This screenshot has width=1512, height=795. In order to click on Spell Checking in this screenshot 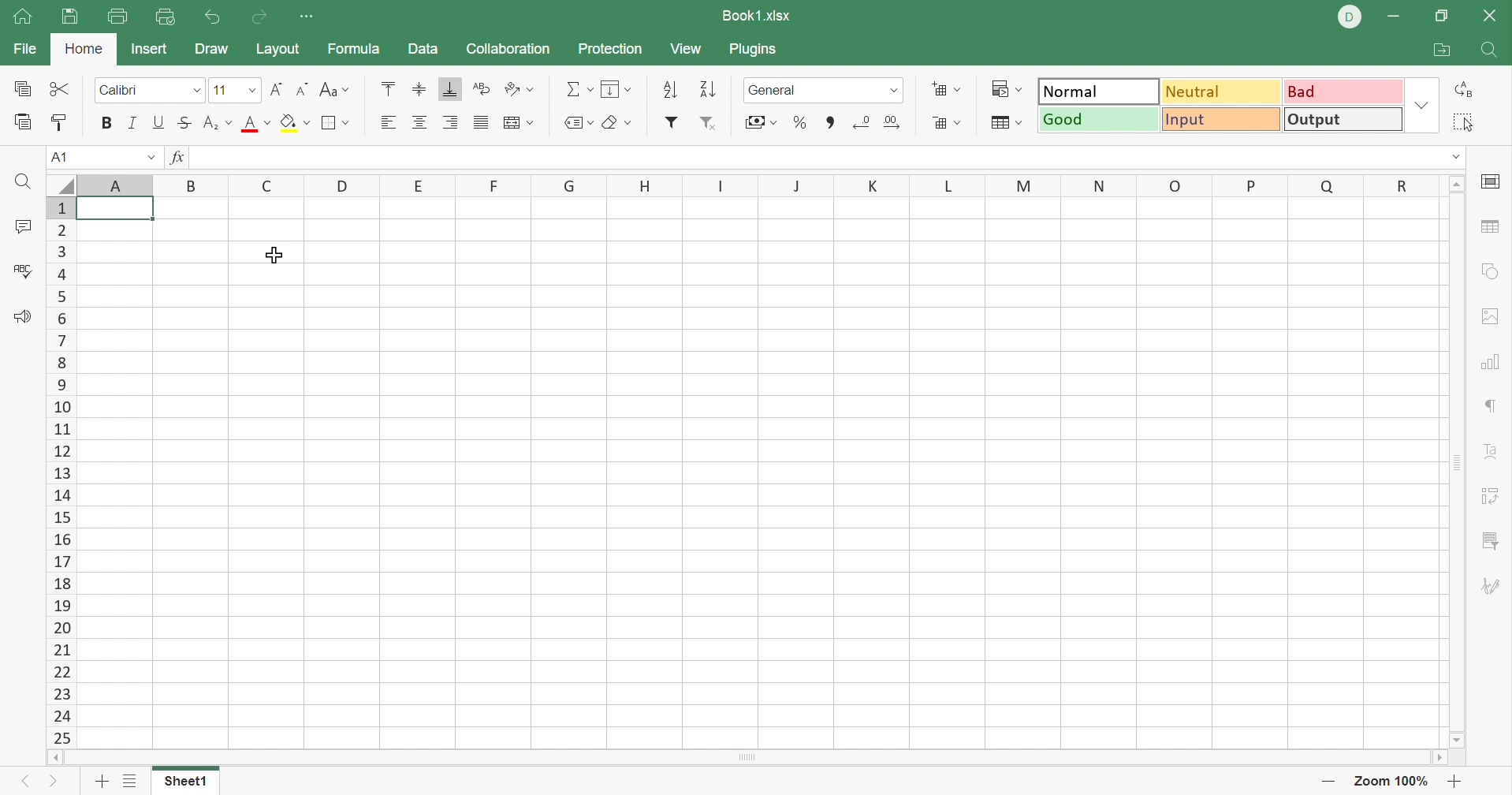, I will do `click(24, 274)`.